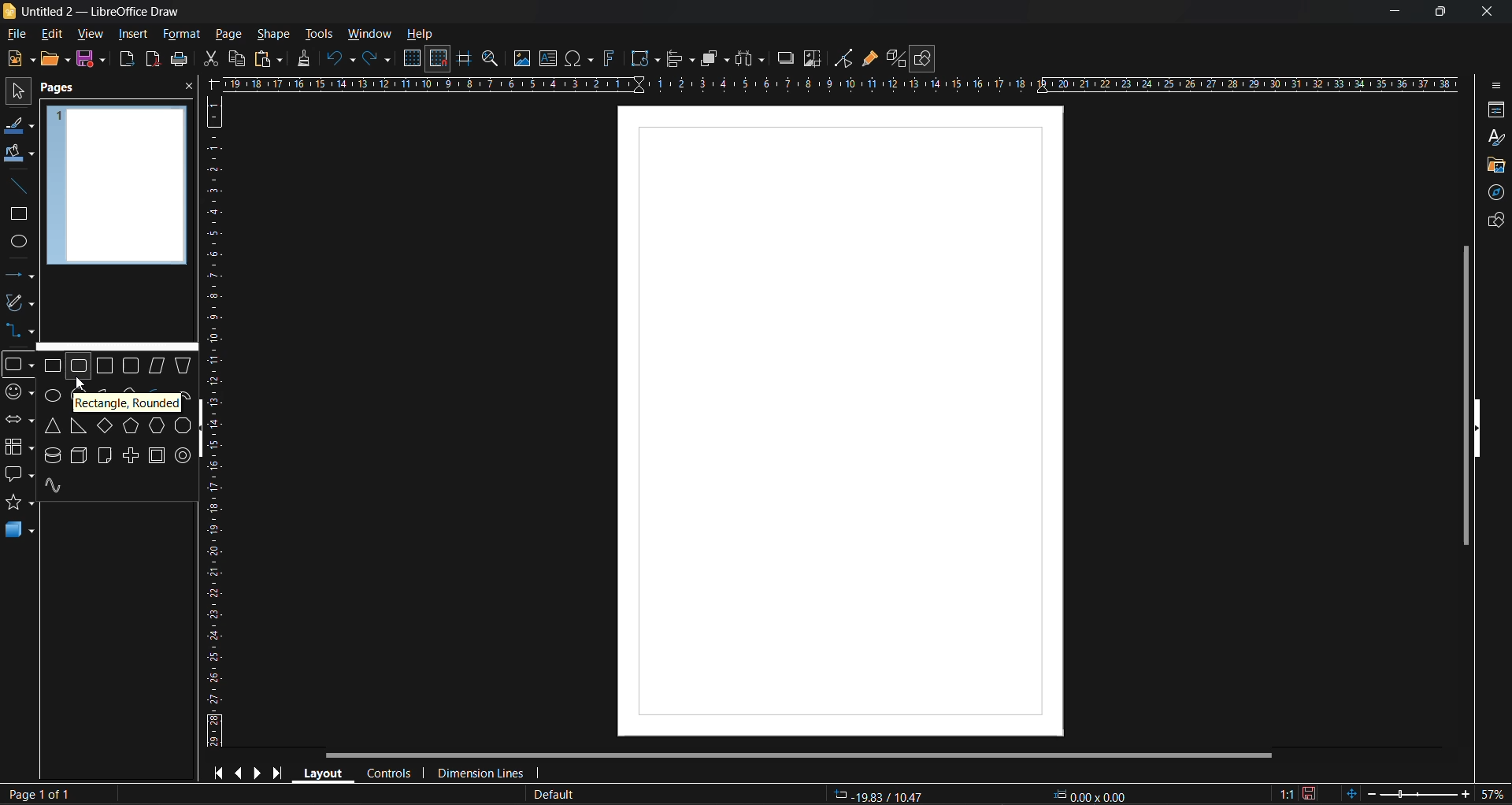 The image size is (1512, 805). Describe the element at coordinates (715, 58) in the screenshot. I see `arrange` at that location.